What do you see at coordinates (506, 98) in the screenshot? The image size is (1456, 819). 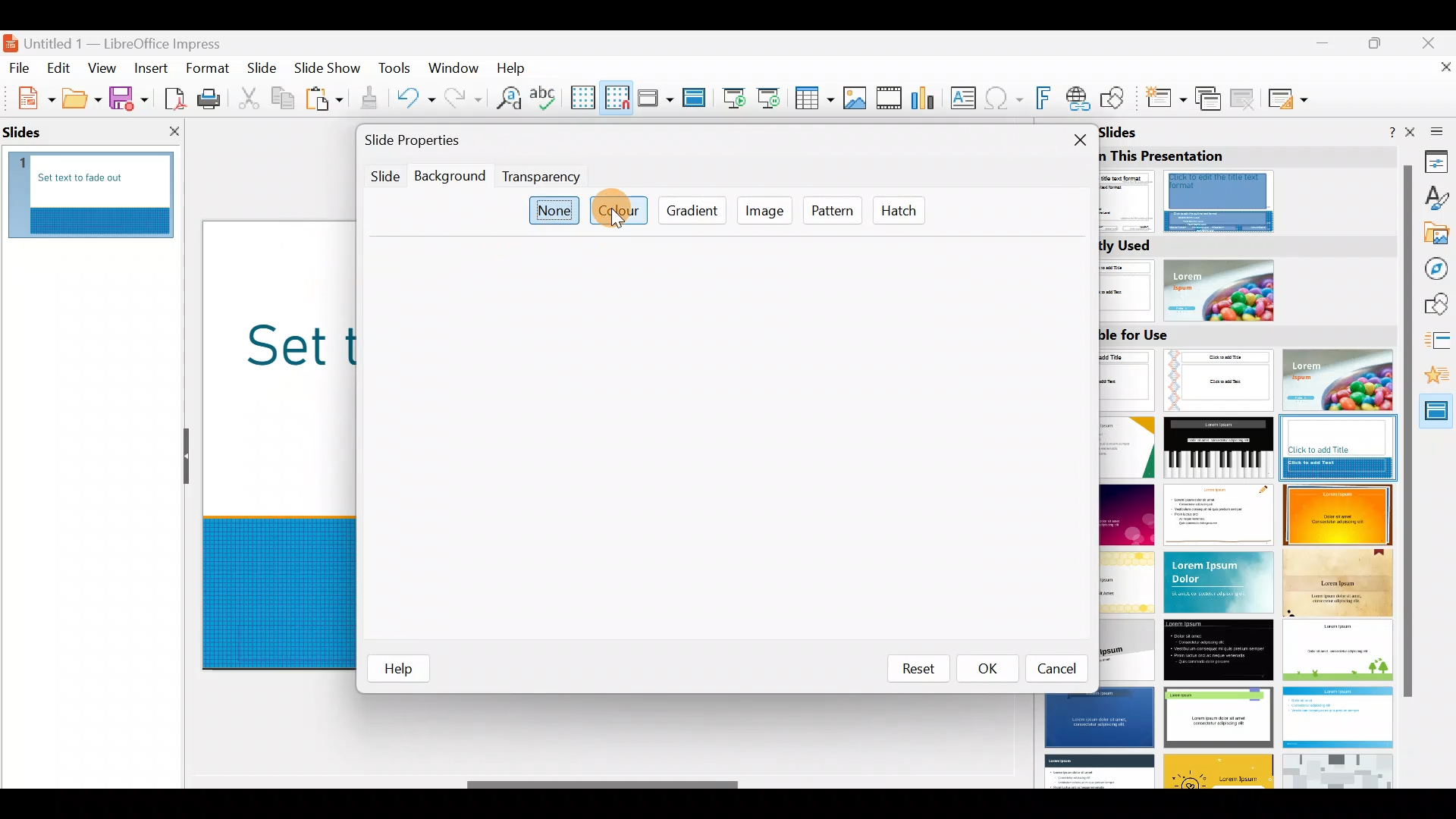 I see `Find and replace` at bounding box center [506, 98].